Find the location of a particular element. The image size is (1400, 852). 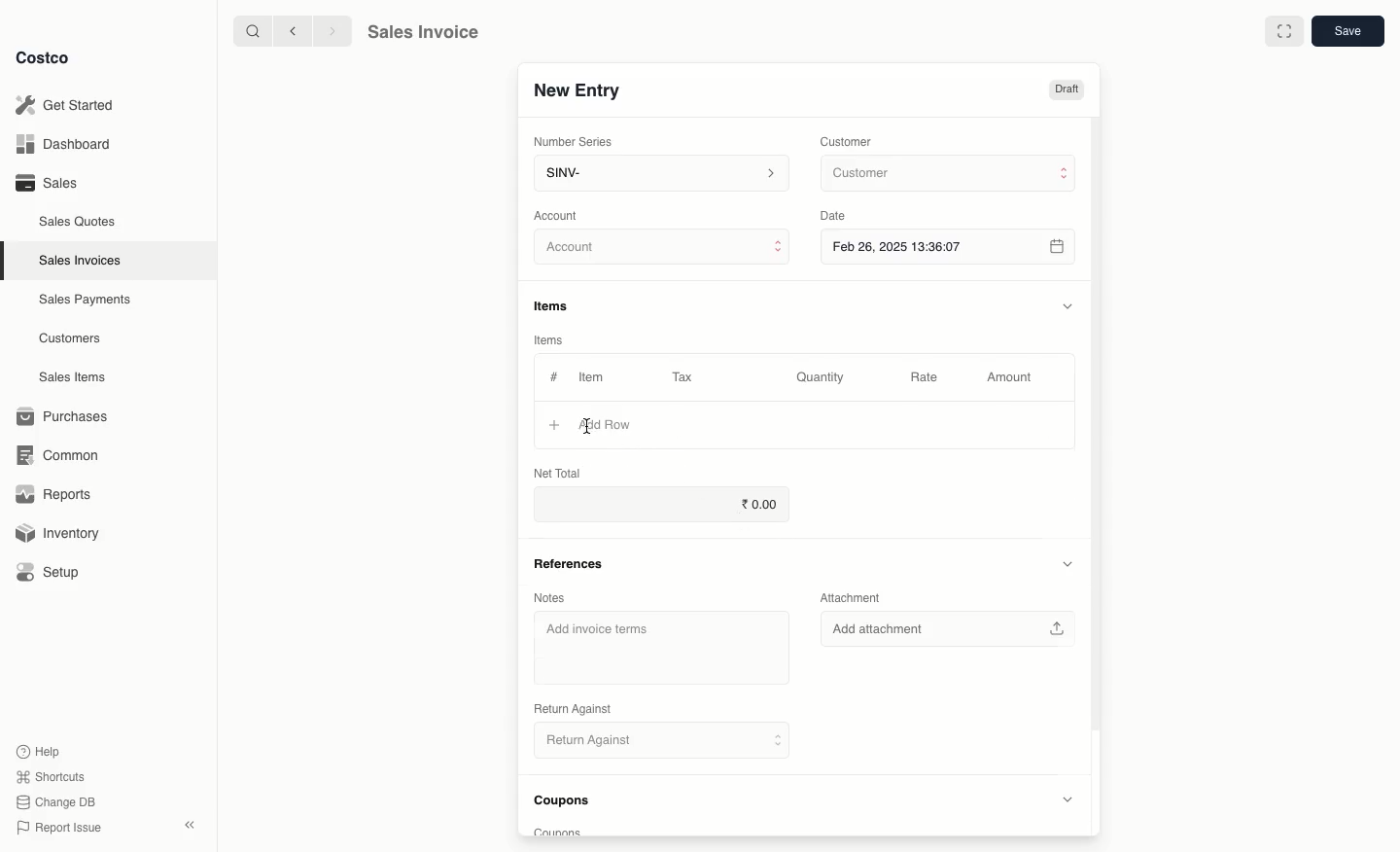

Inventory is located at coordinates (61, 531).